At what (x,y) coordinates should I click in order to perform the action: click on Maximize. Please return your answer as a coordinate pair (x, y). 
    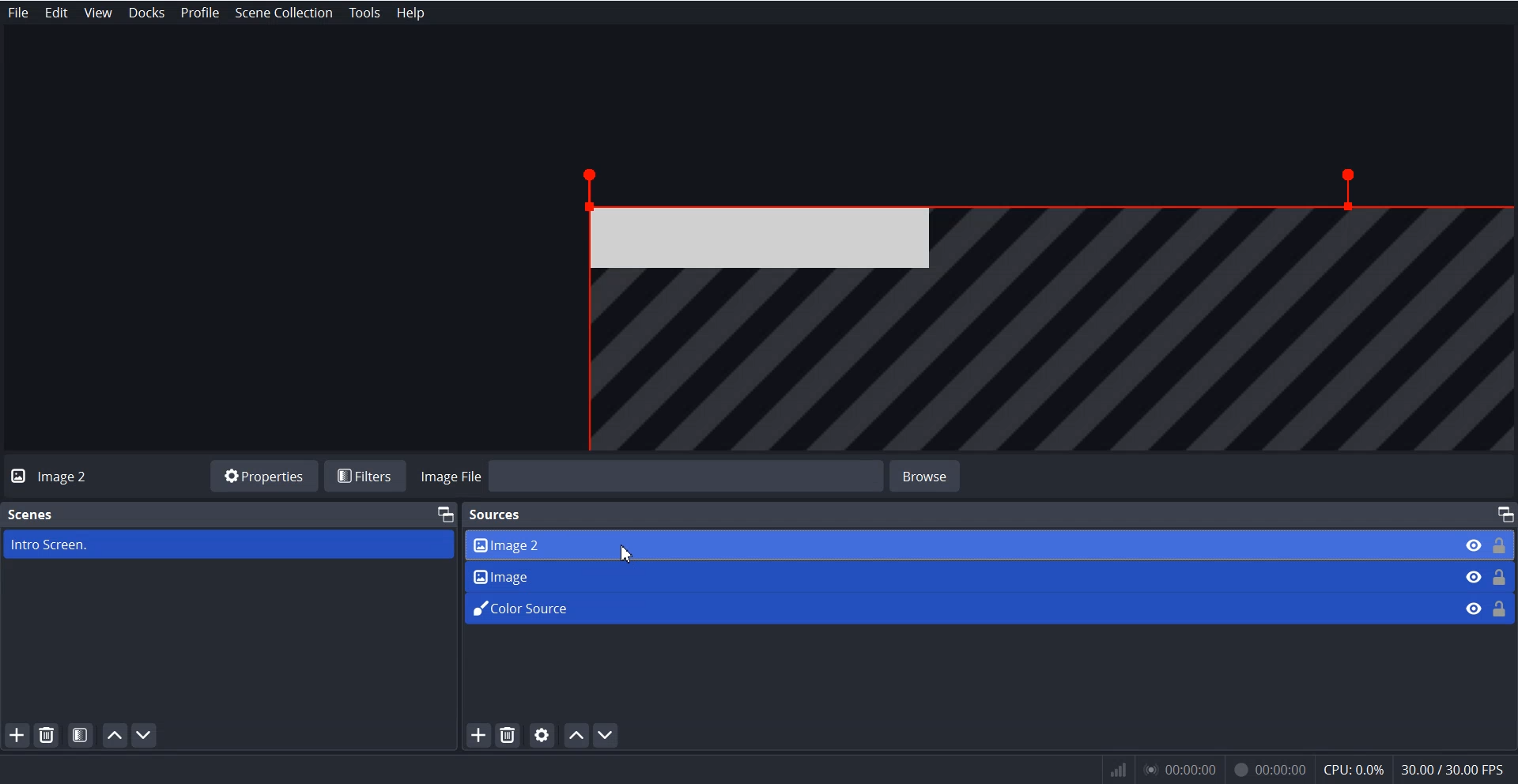
    Looking at the image, I should click on (1504, 514).